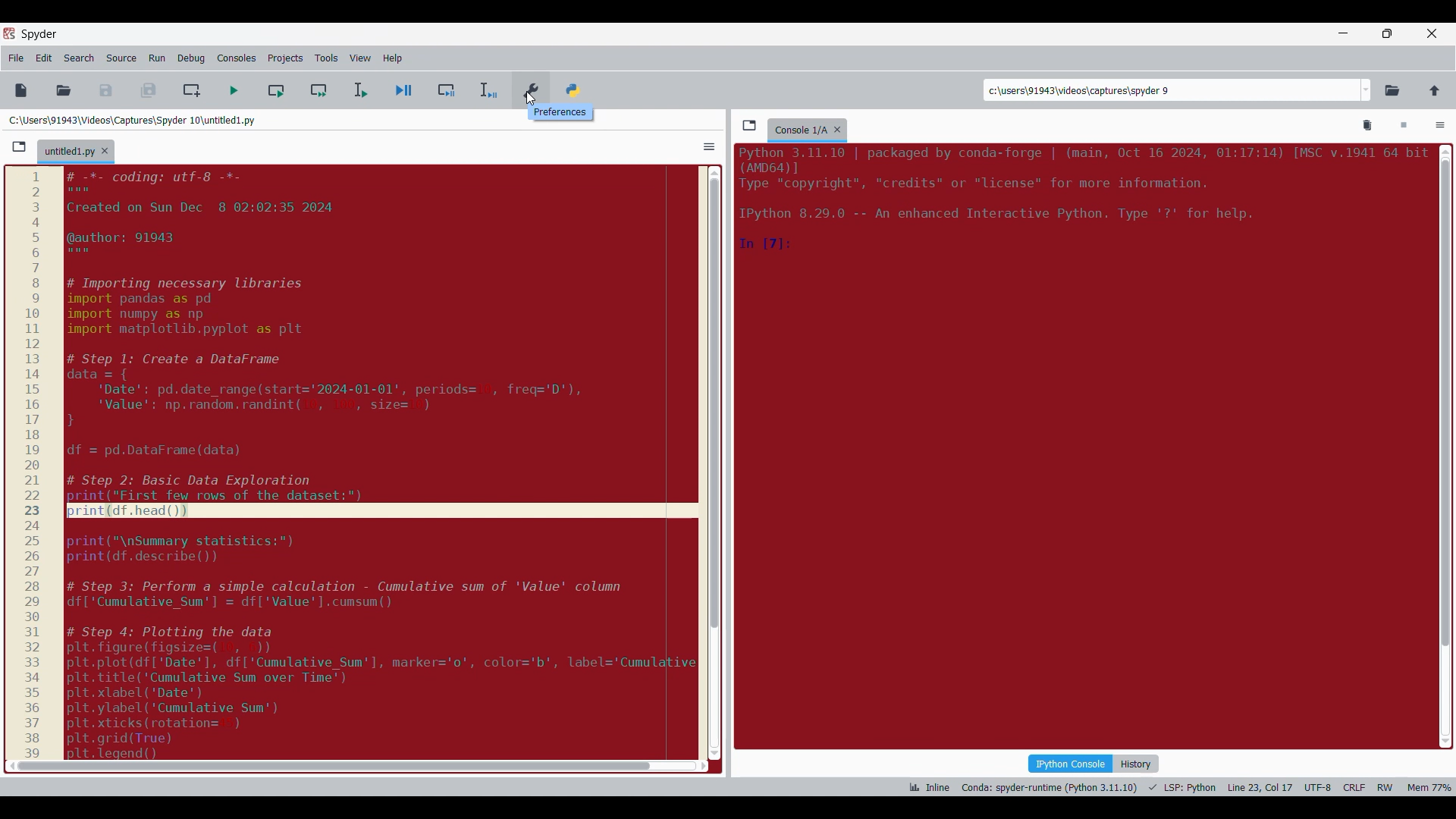 This screenshot has width=1456, height=819. I want to click on PYTHONPATH manager, so click(576, 86).